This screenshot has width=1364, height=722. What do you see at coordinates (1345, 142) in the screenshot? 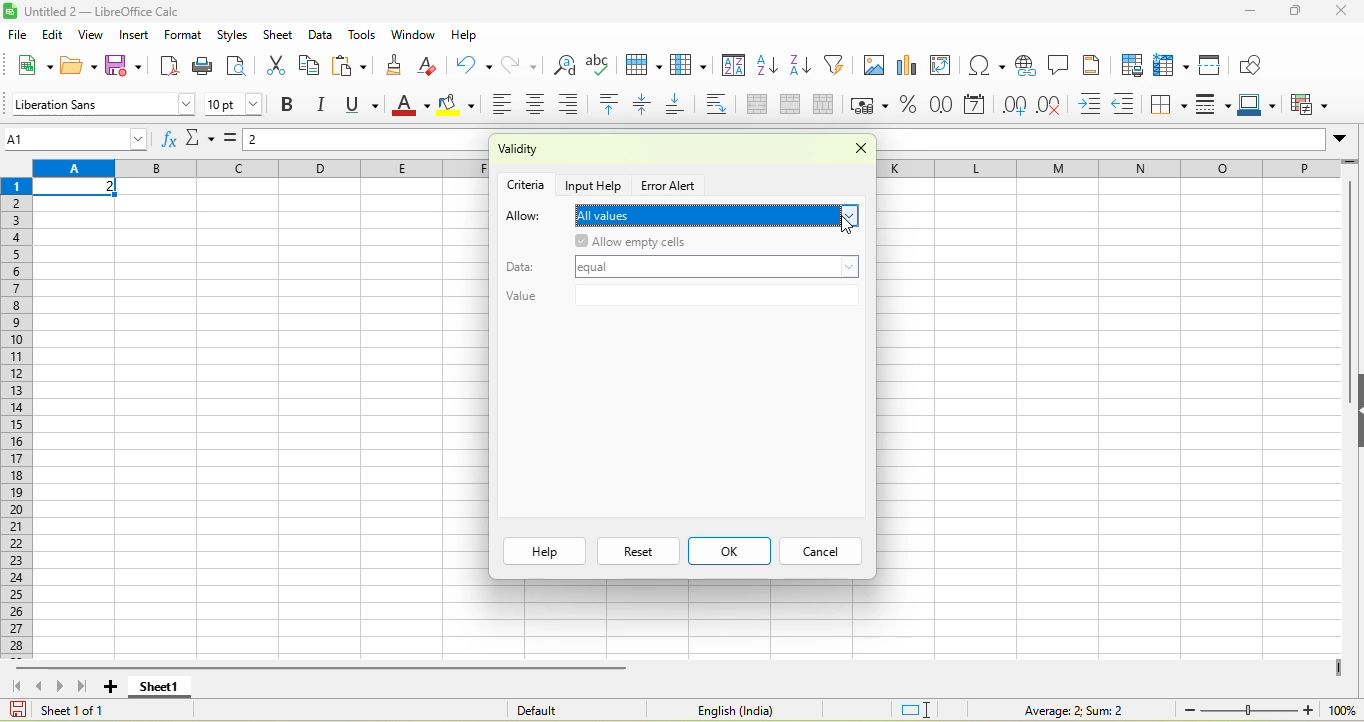
I see `expand formula bar` at bounding box center [1345, 142].